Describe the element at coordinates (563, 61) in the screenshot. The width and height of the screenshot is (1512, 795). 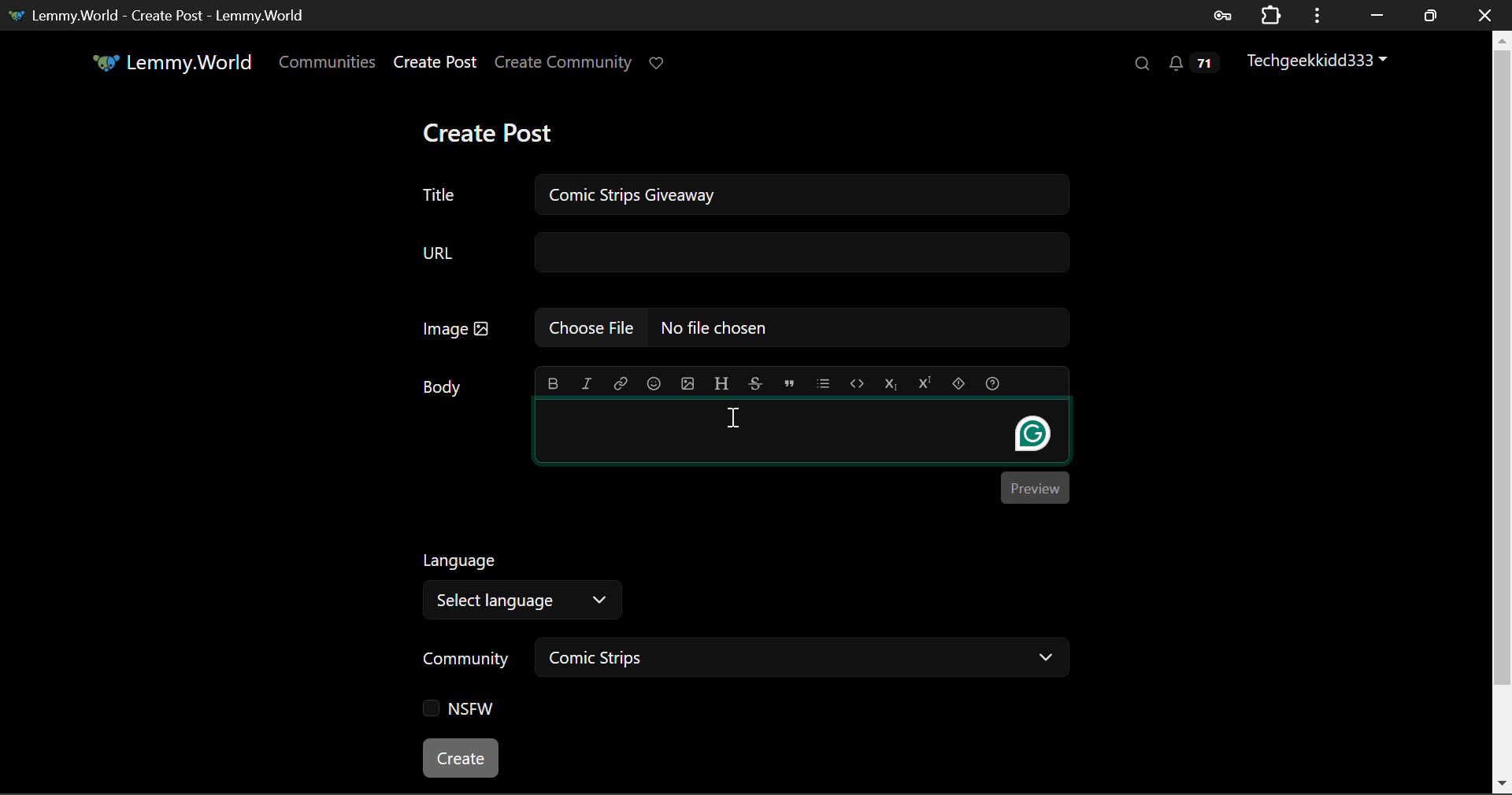
I see `Create Community` at that location.